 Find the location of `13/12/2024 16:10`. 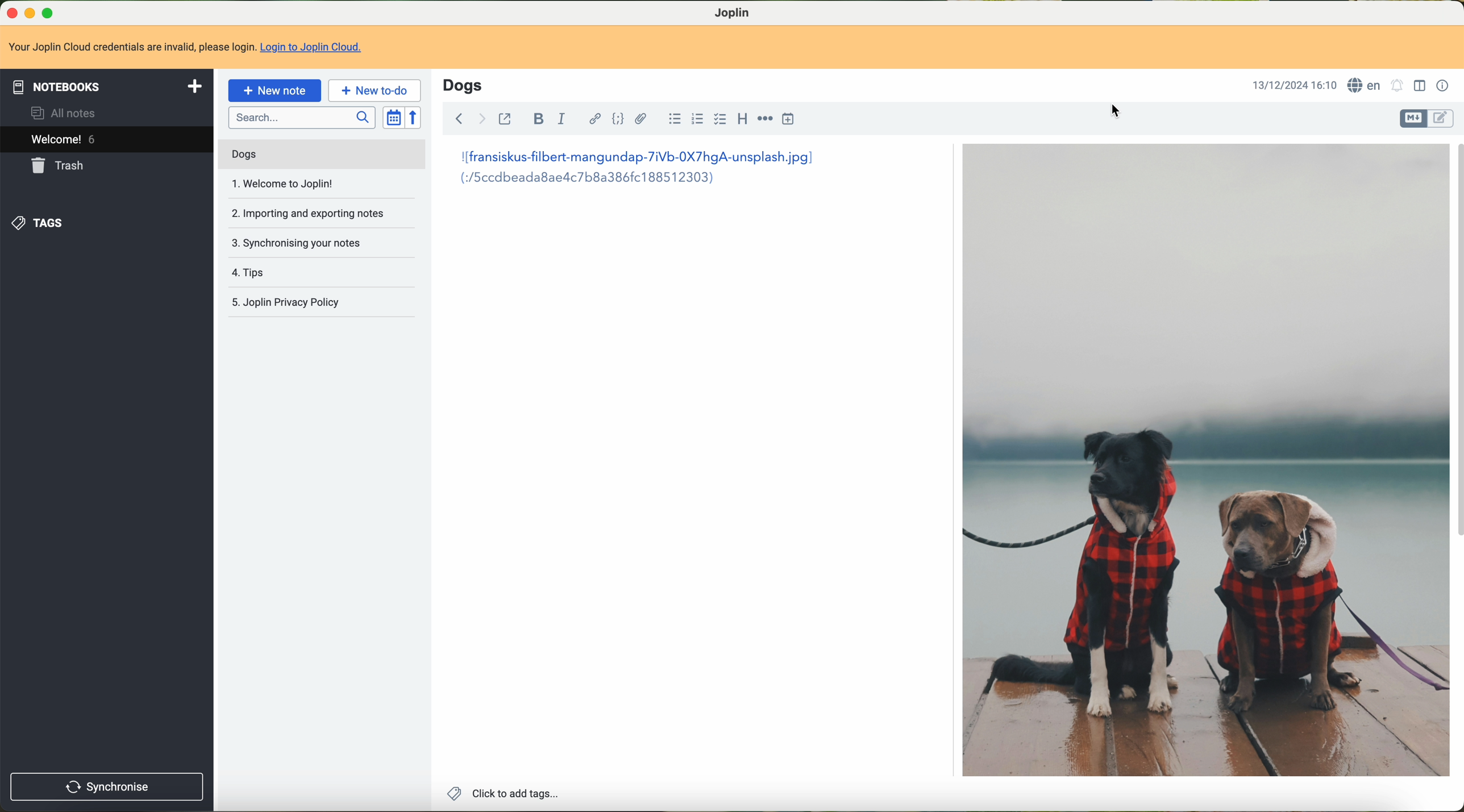

13/12/2024 16:10 is located at coordinates (1291, 85).